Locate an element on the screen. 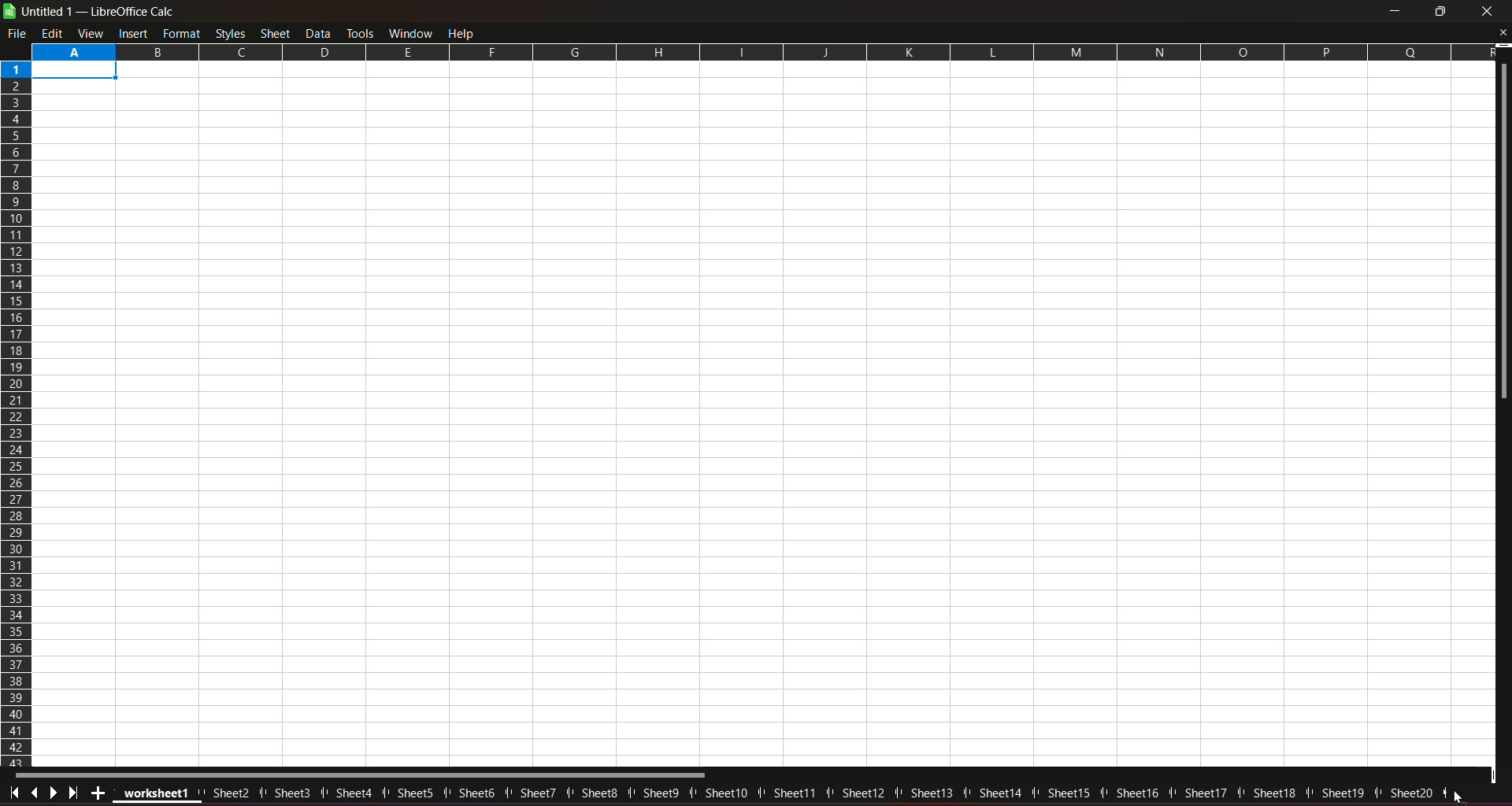 The image size is (1512, 806). First sheet is located at coordinates (16, 791).